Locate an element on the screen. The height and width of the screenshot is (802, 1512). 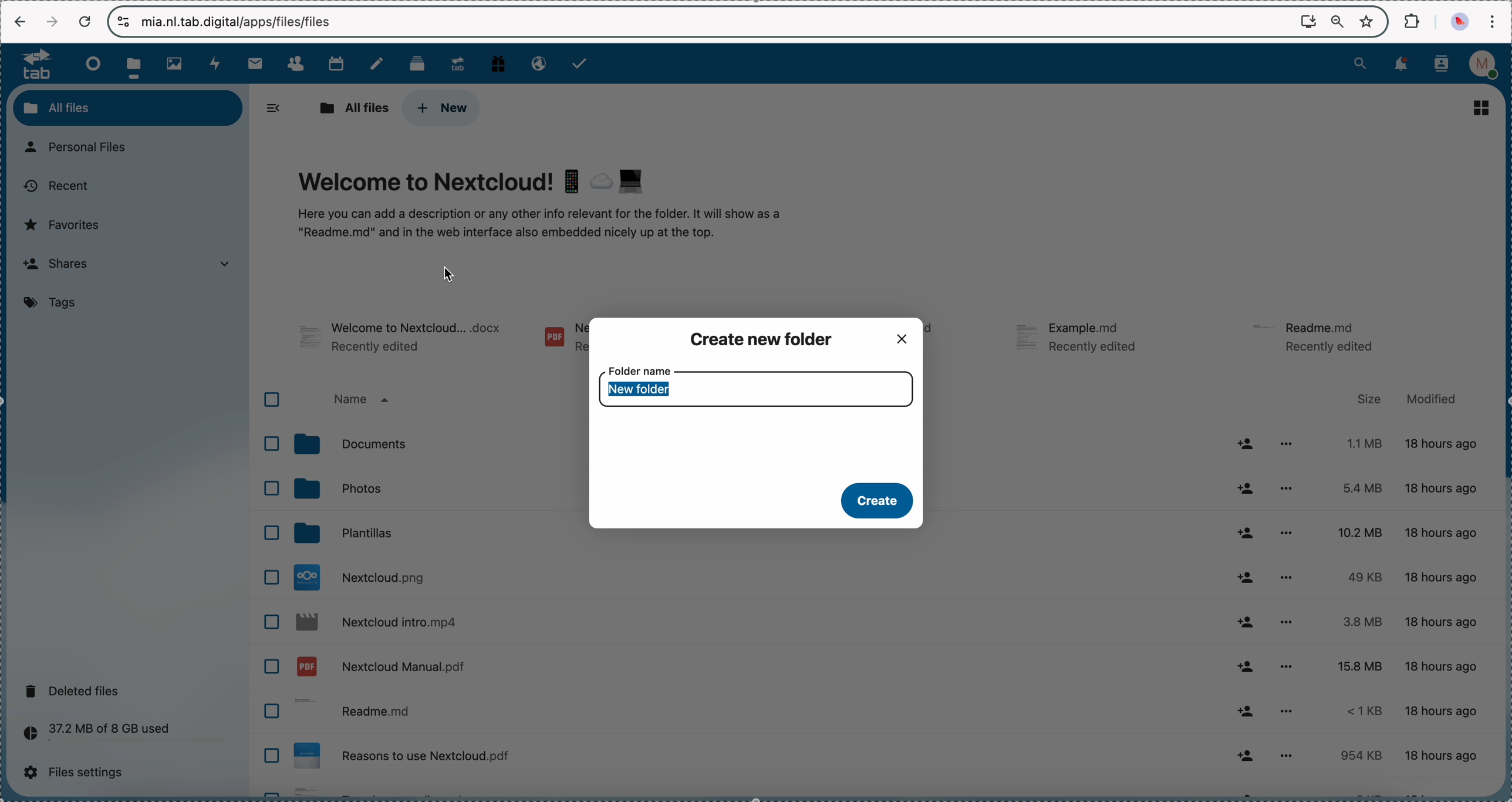
navigate foward is located at coordinates (52, 22).